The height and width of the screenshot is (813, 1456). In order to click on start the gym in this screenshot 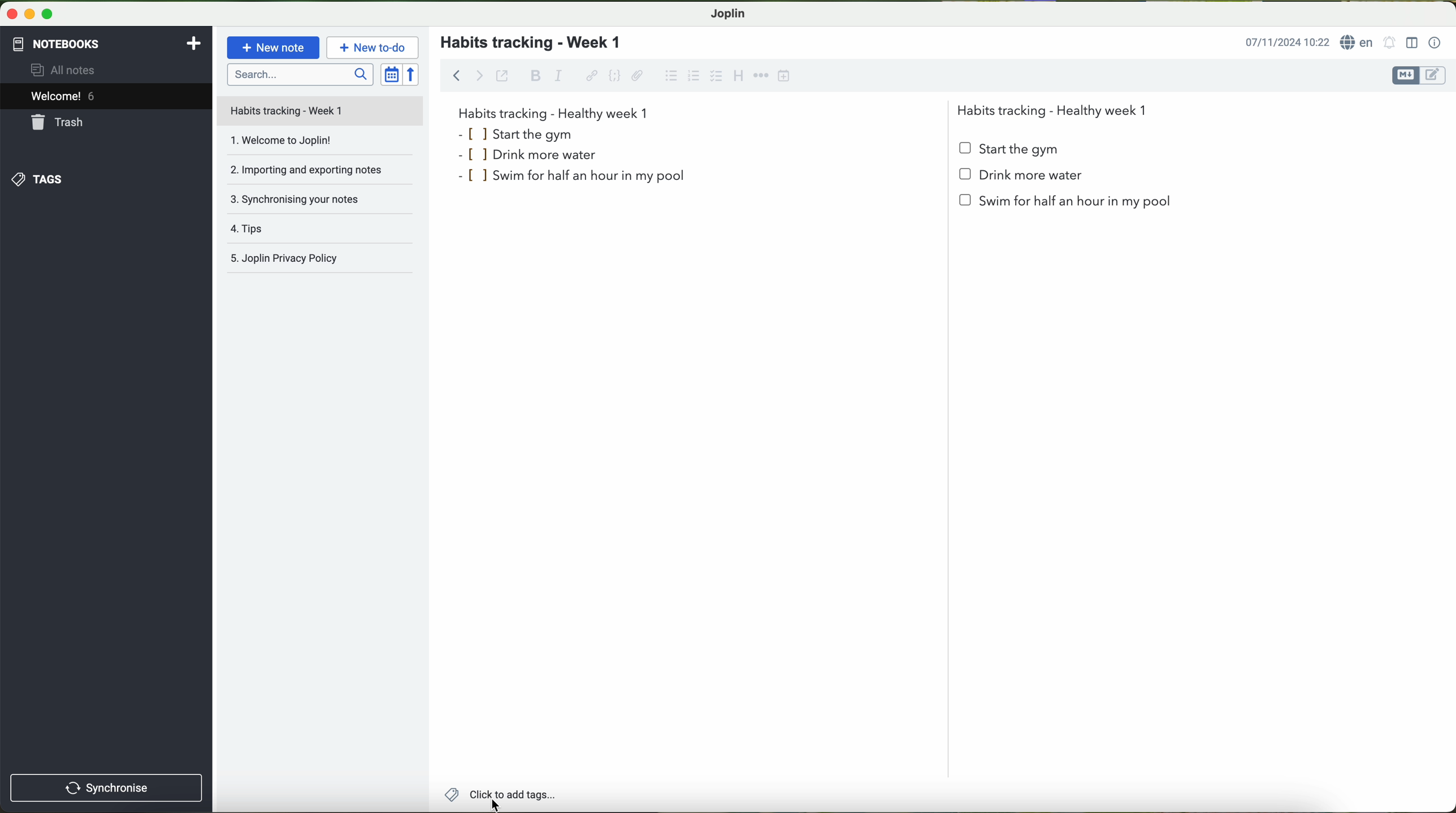, I will do `click(1010, 149)`.